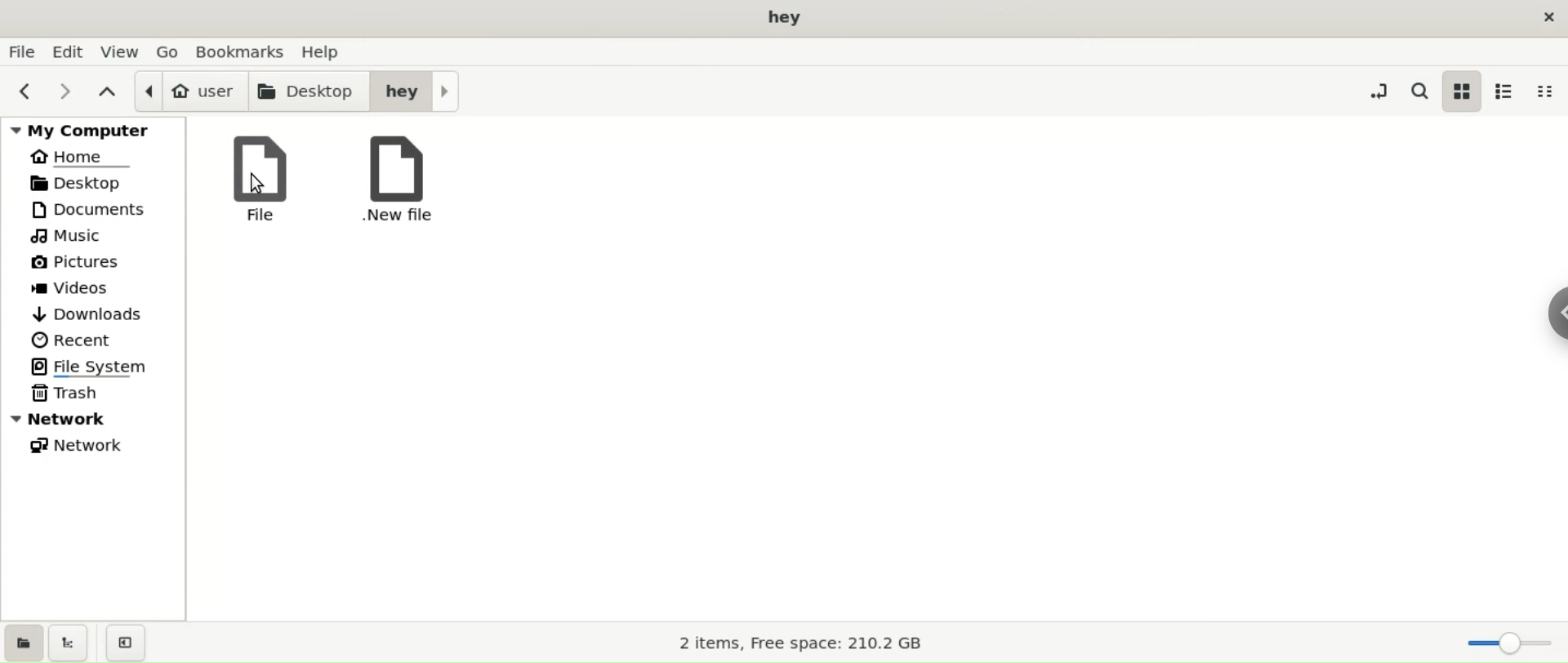 Image resolution: width=1568 pixels, height=663 pixels. Describe the element at coordinates (412, 92) in the screenshot. I see `hey` at that location.